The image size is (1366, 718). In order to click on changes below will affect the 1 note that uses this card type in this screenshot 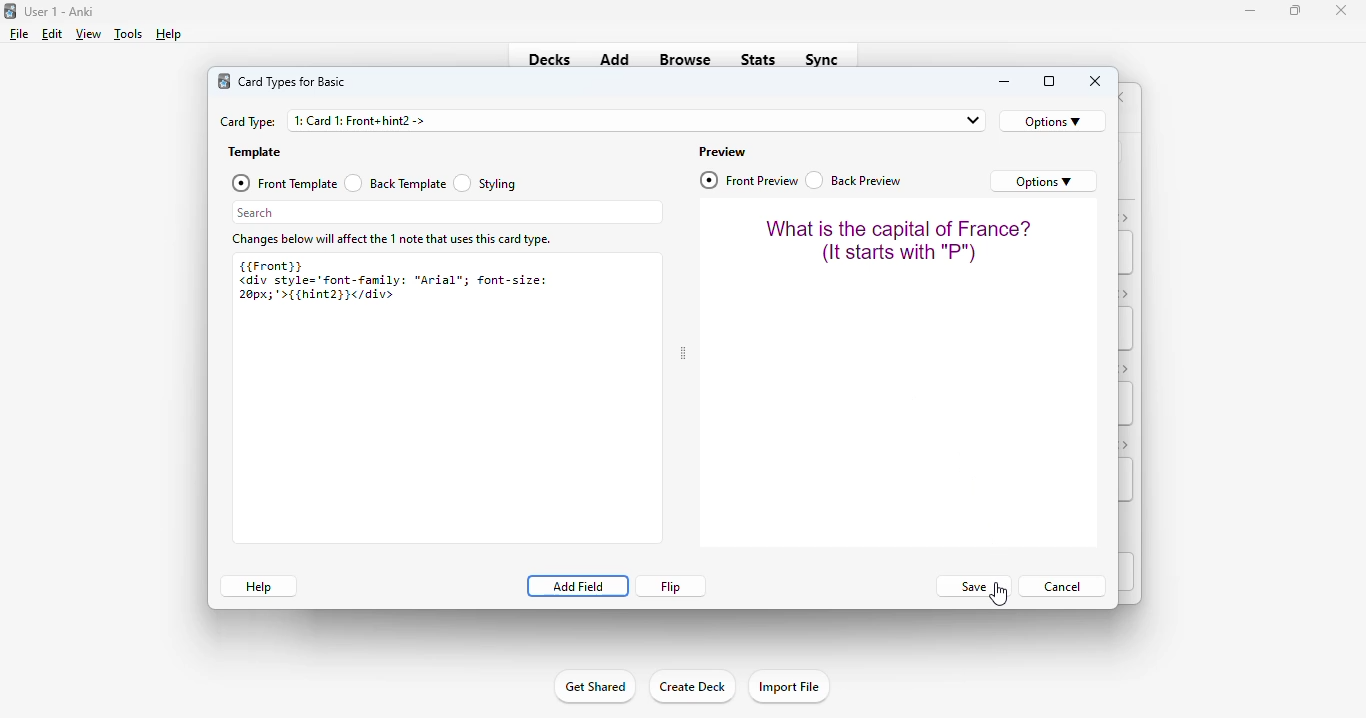, I will do `click(393, 240)`.